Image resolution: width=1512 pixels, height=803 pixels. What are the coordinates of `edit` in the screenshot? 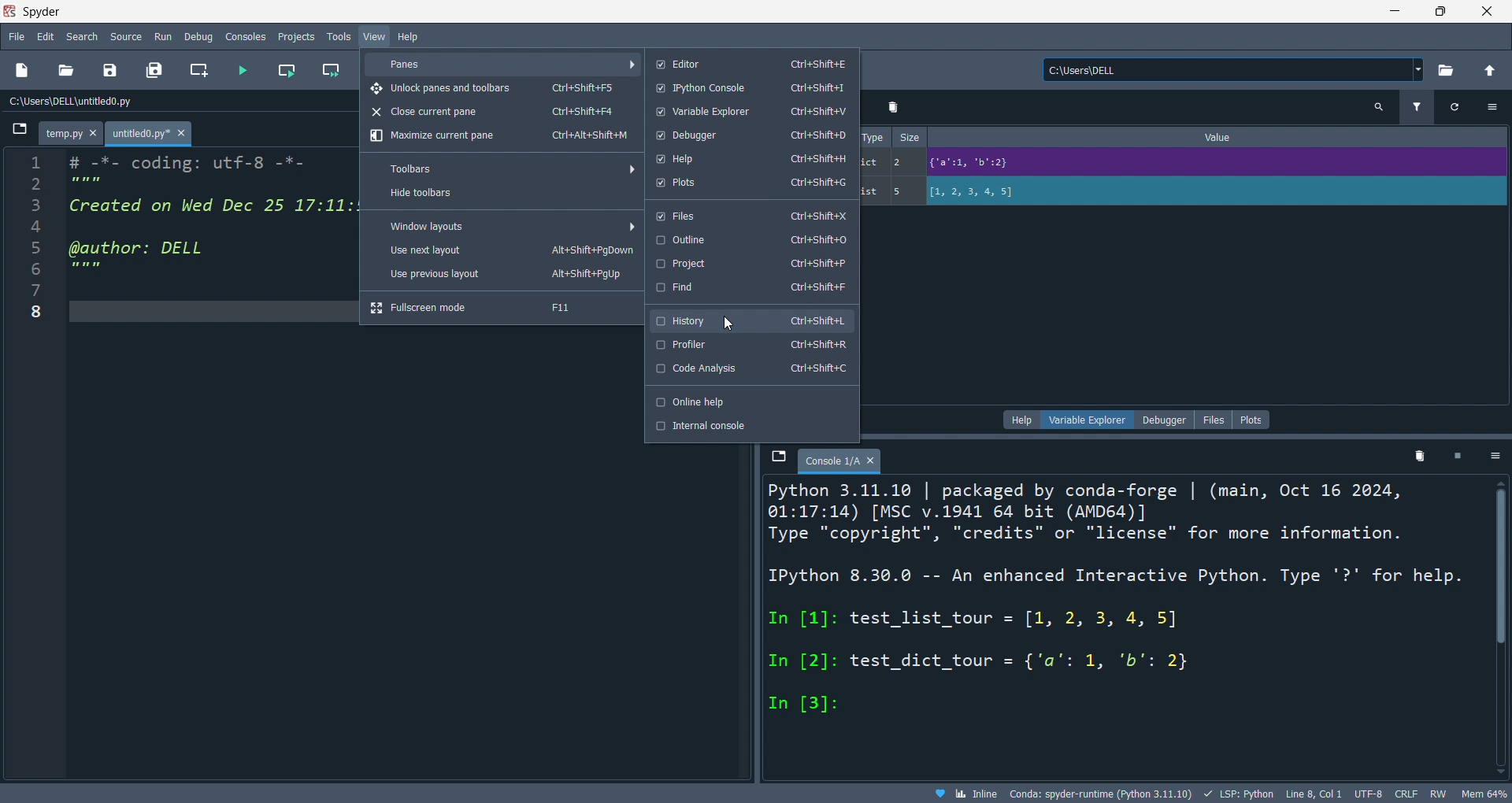 It's located at (46, 36).